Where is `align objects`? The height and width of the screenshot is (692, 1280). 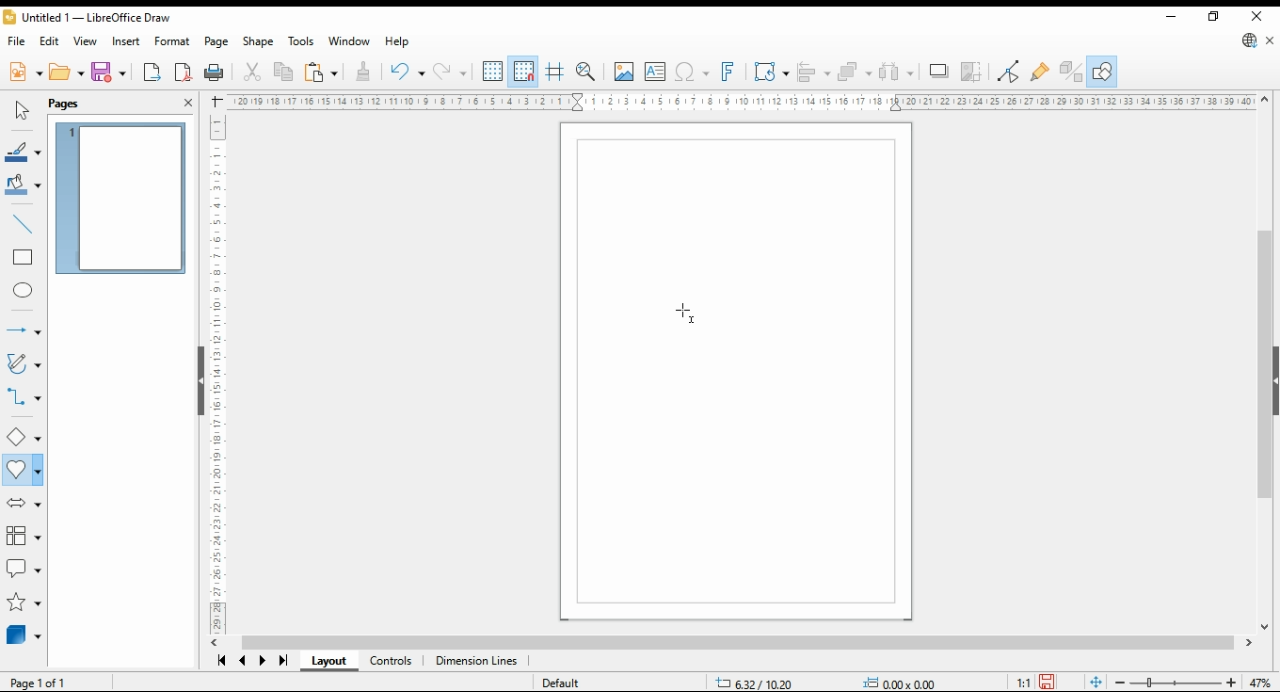 align objects is located at coordinates (814, 72).